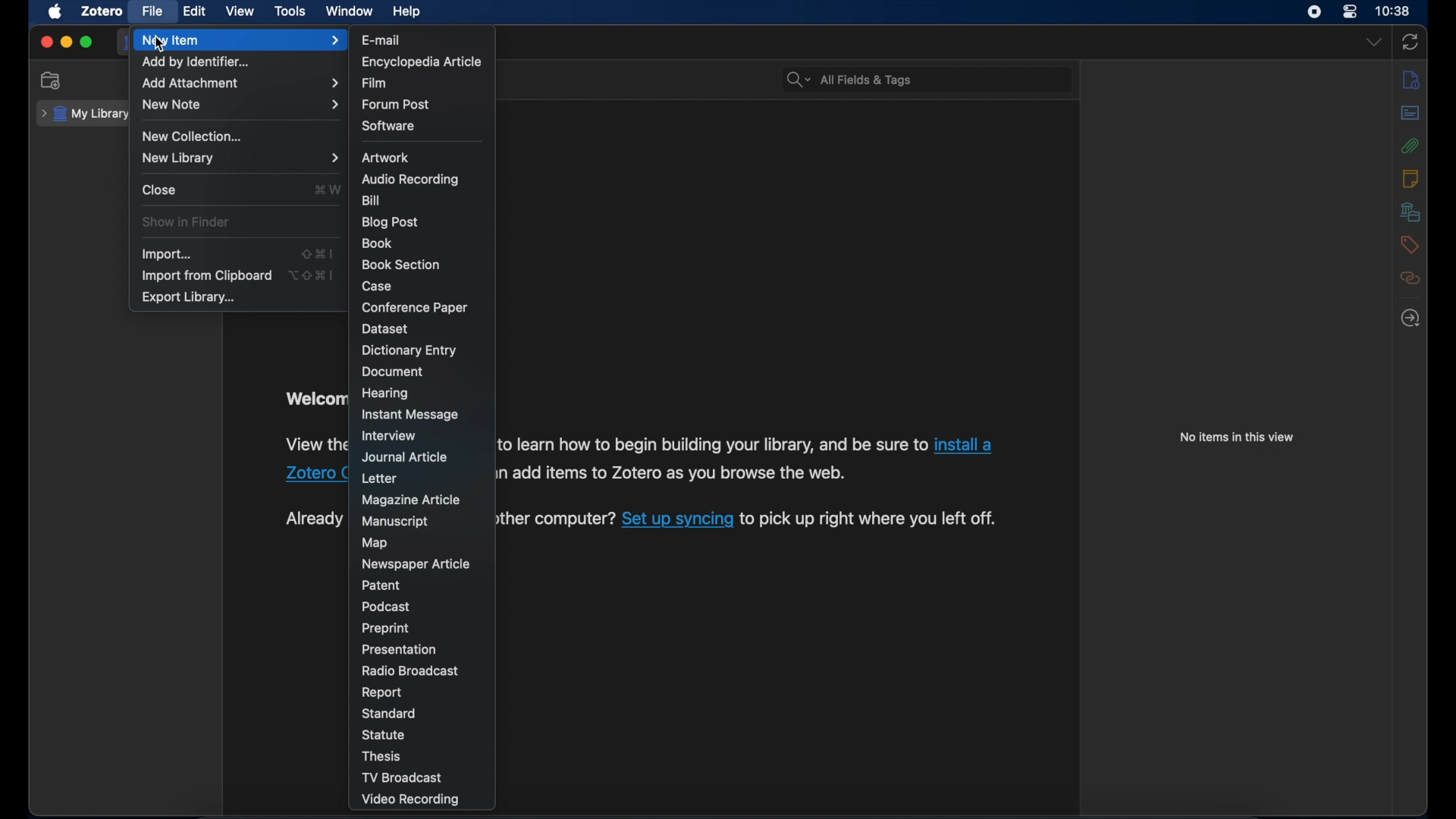 This screenshot has width=1456, height=819. Describe the element at coordinates (383, 693) in the screenshot. I see `report` at that location.